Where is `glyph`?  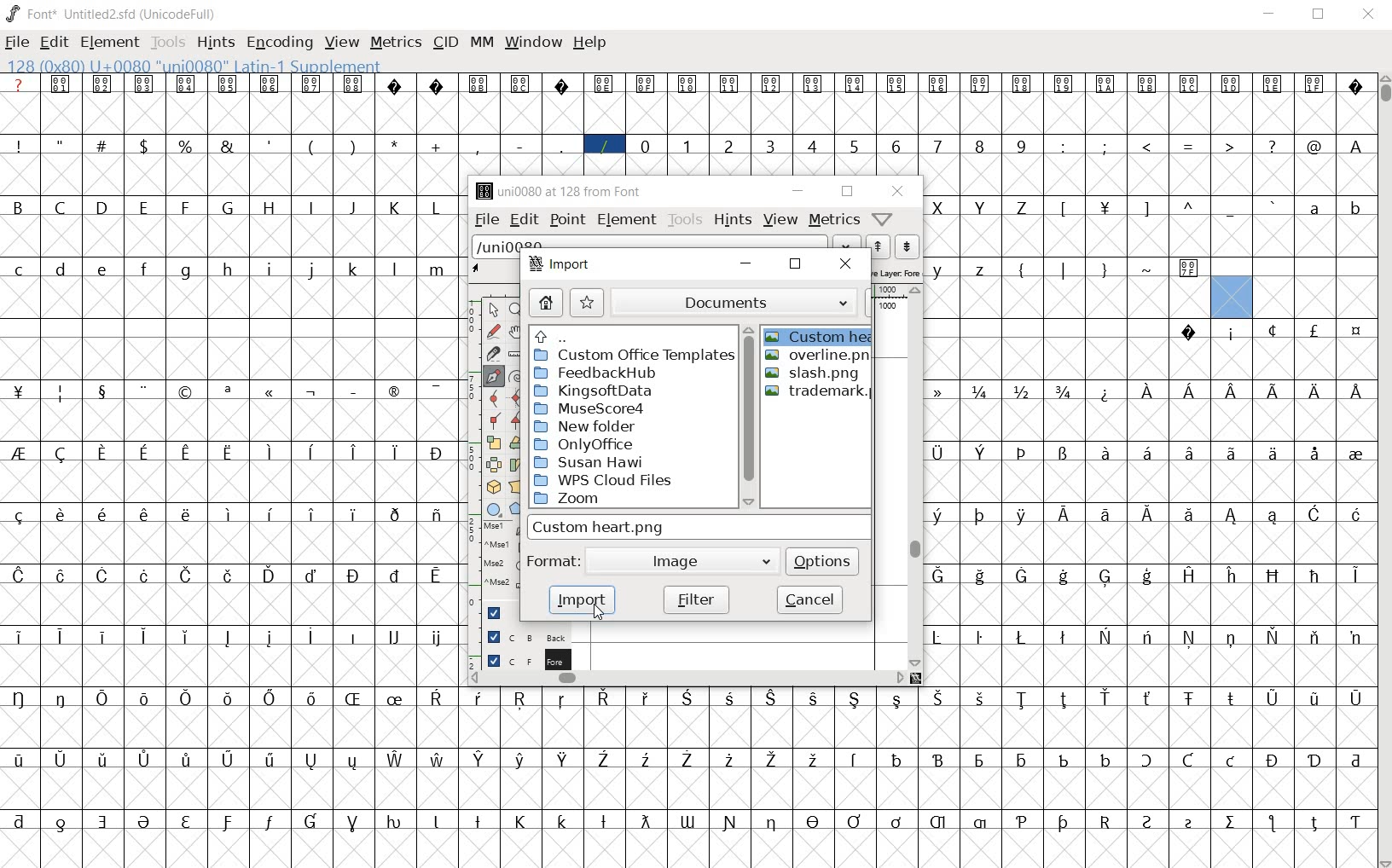
glyph is located at coordinates (352, 146).